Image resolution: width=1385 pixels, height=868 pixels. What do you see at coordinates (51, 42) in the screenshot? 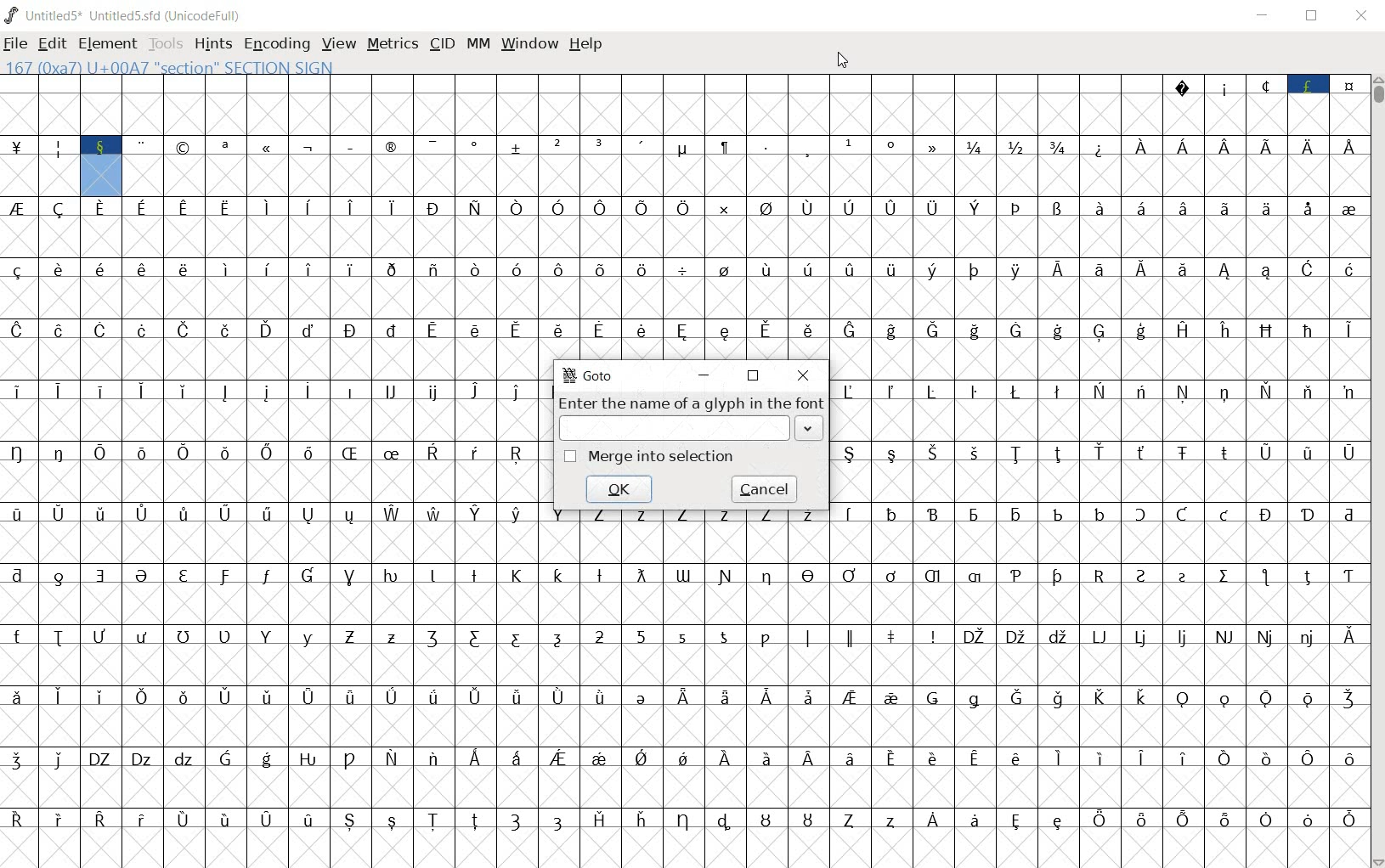
I see `edit` at bounding box center [51, 42].